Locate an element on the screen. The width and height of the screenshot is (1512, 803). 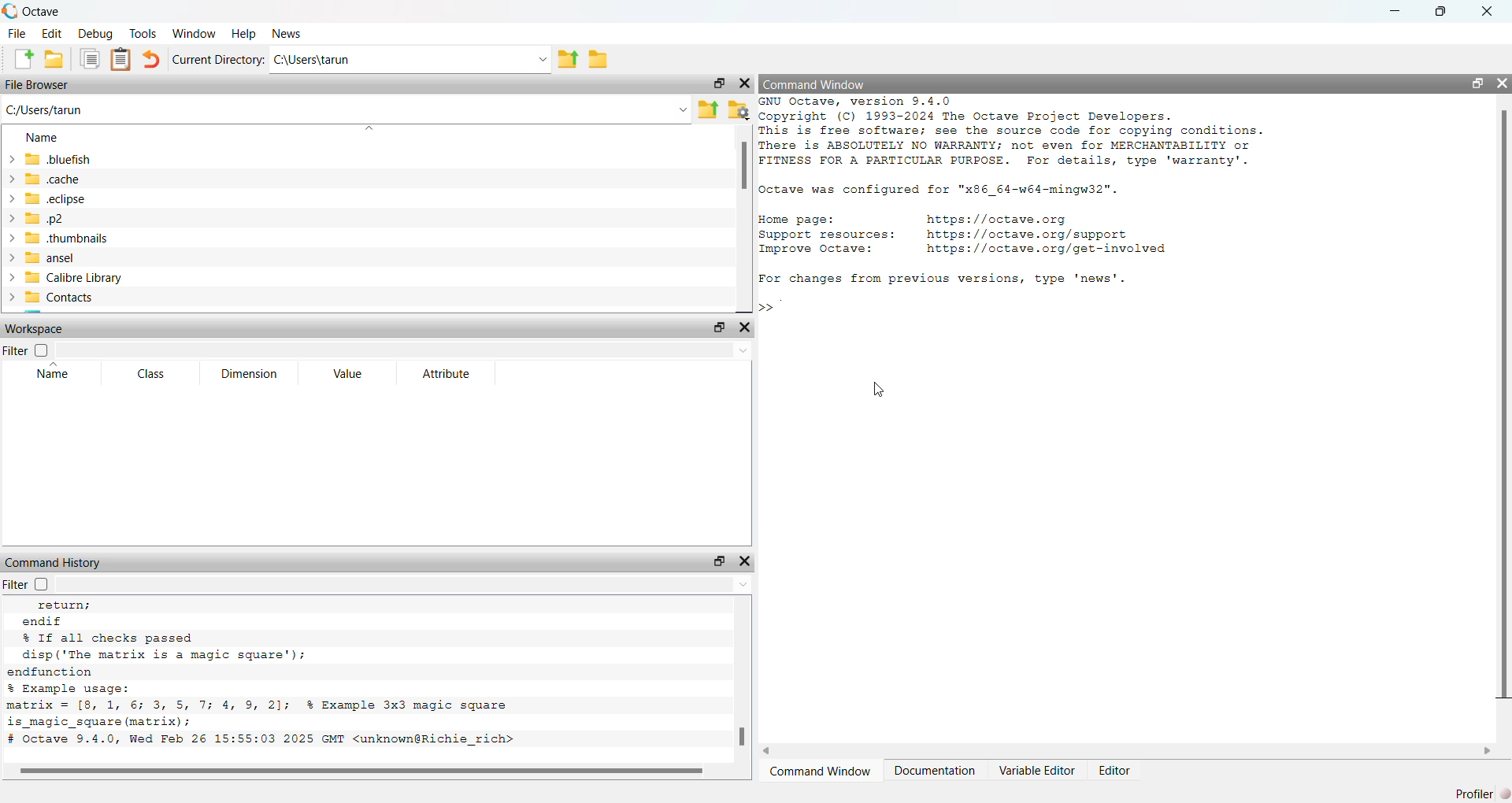
Cursor is located at coordinates (879, 389).